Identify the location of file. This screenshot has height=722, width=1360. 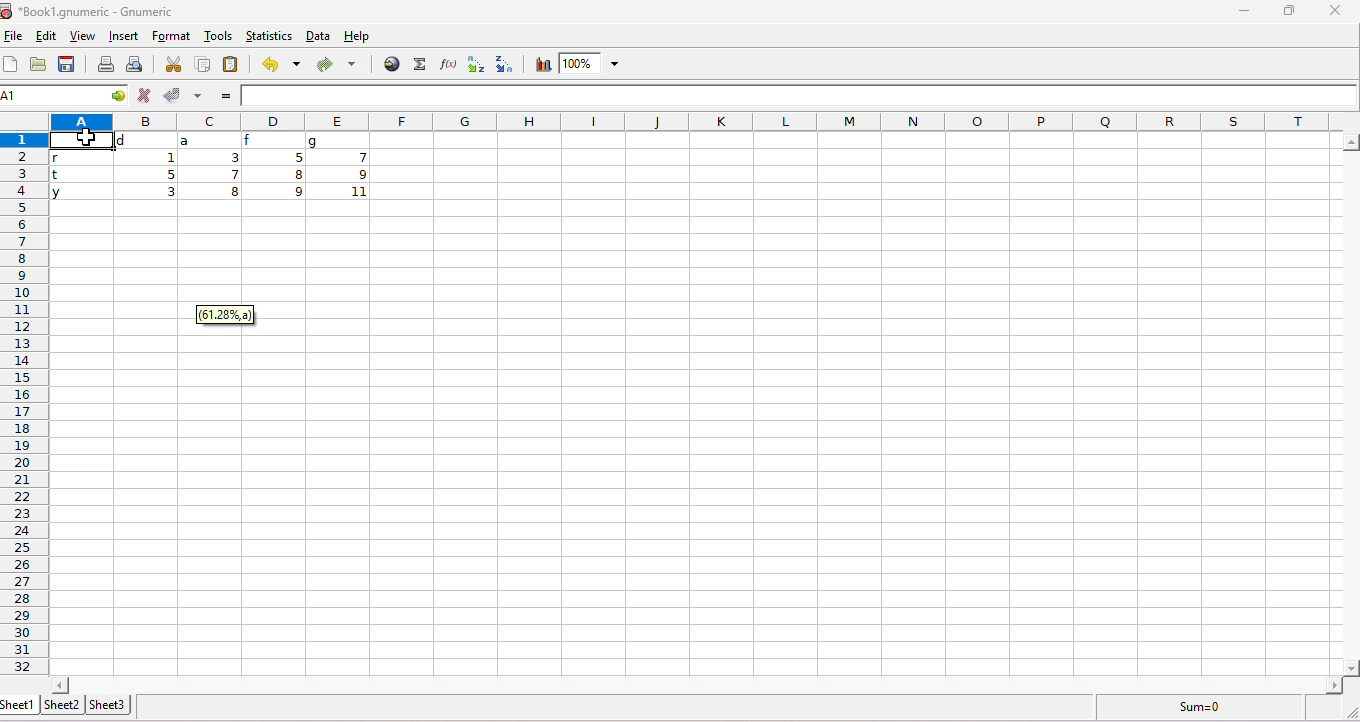
(14, 37).